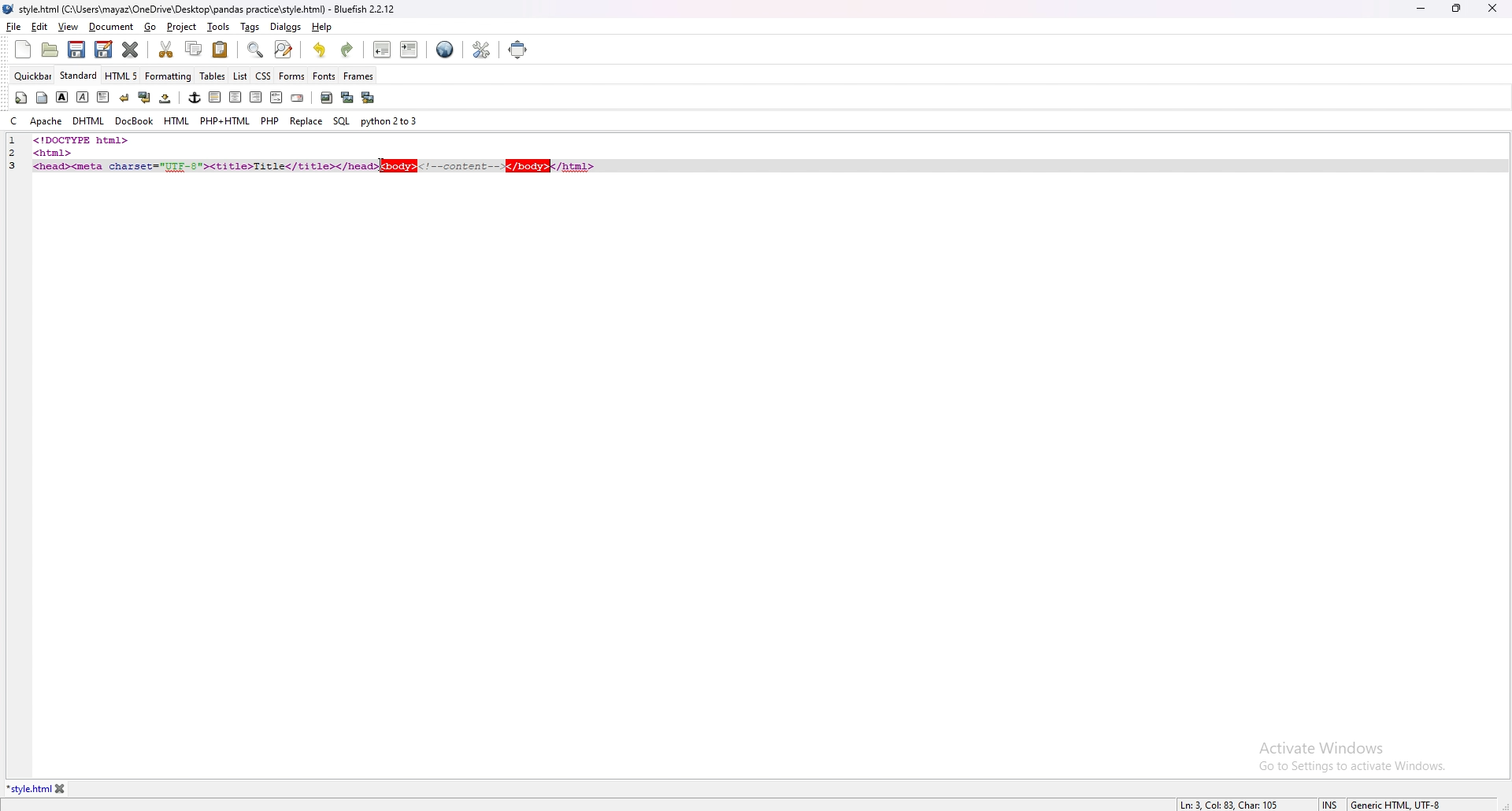  What do you see at coordinates (168, 49) in the screenshot?
I see `cut` at bounding box center [168, 49].